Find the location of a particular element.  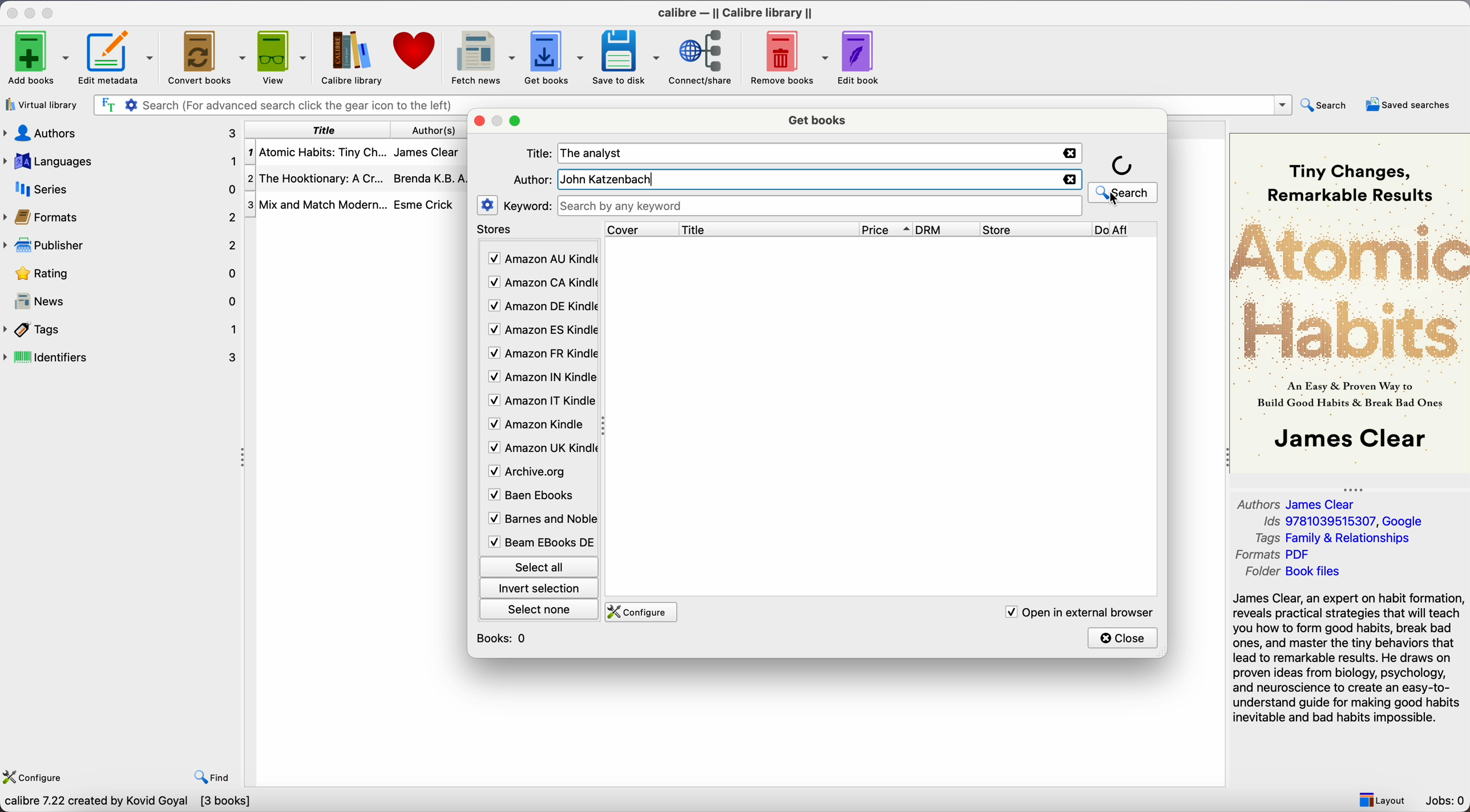

Ids 9781039515307, Google is located at coordinates (1344, 522).